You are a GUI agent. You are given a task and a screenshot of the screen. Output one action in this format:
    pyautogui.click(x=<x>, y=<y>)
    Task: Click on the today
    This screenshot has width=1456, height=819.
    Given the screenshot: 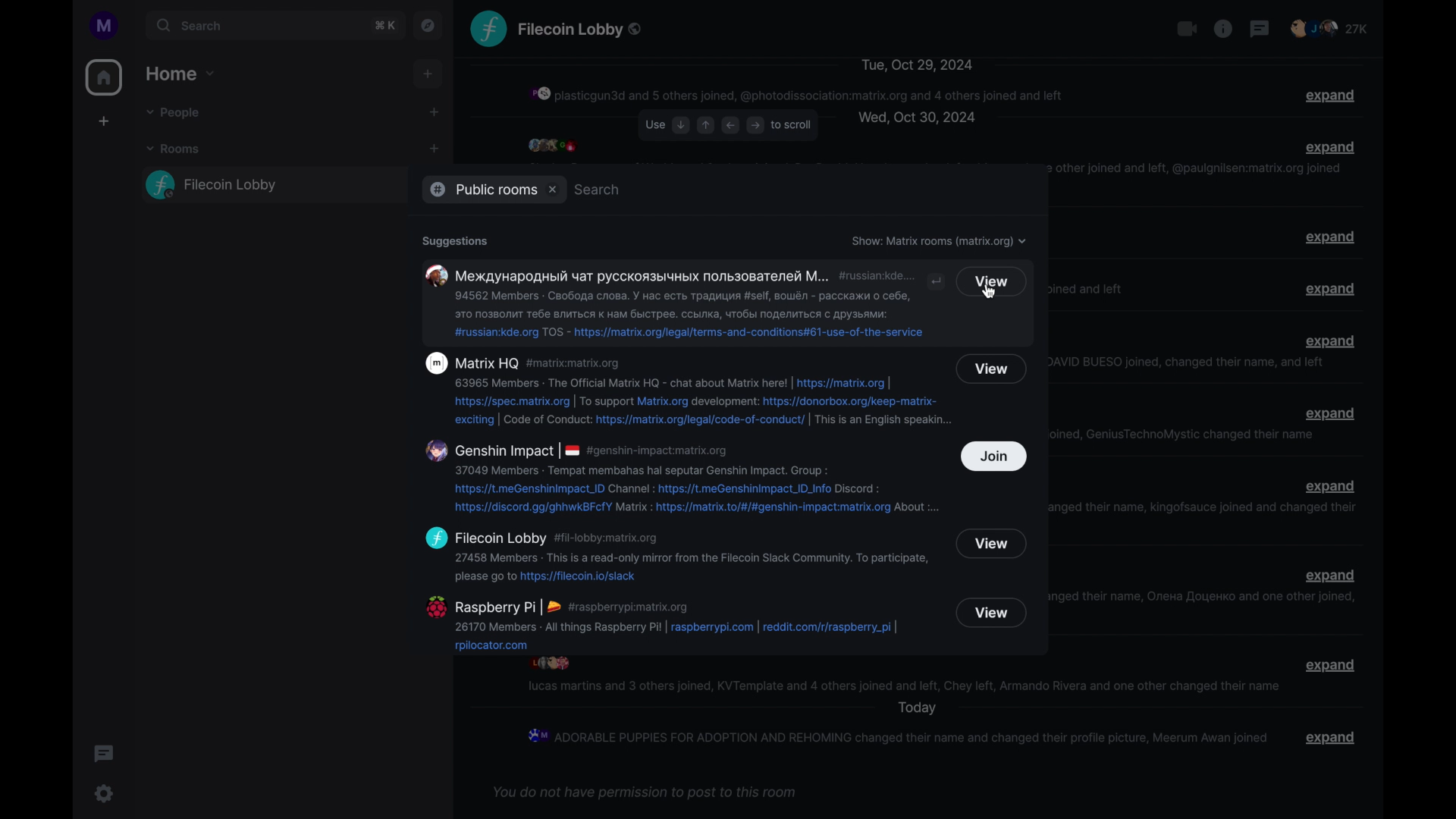 What is the action you would take?
    pyautogui.click(x=917, y=708)
    